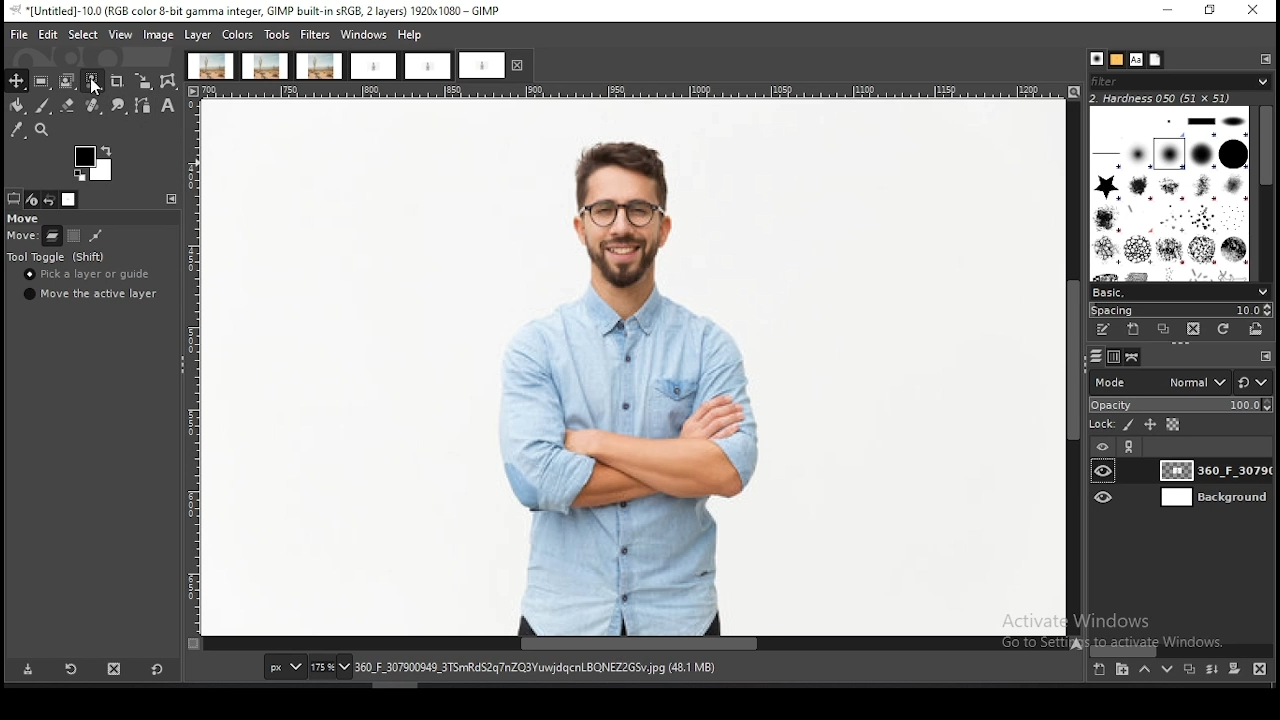  I want to click on device status, so click(32, 200).